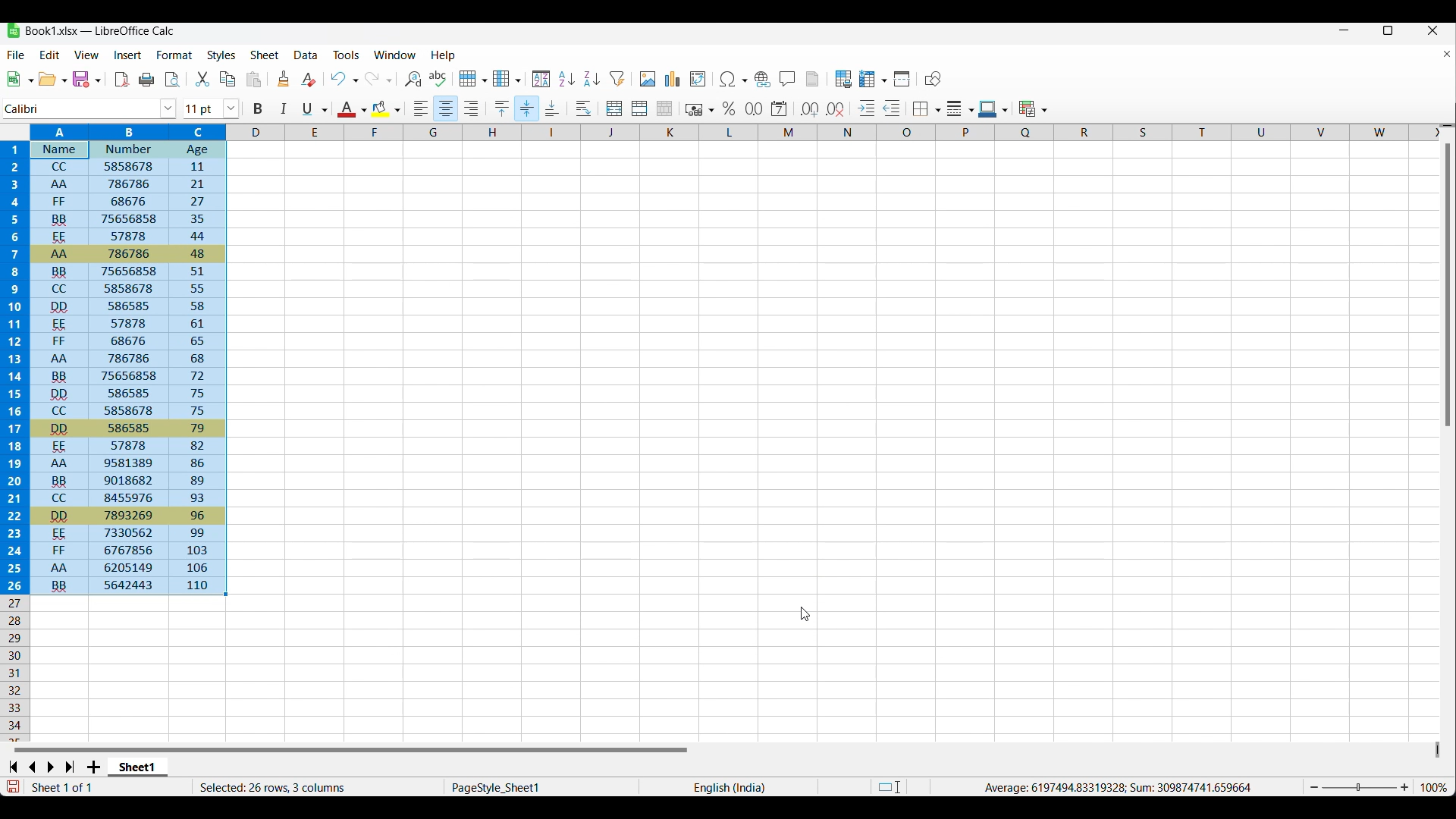  I want to click on Help menu, so click(444, 56).